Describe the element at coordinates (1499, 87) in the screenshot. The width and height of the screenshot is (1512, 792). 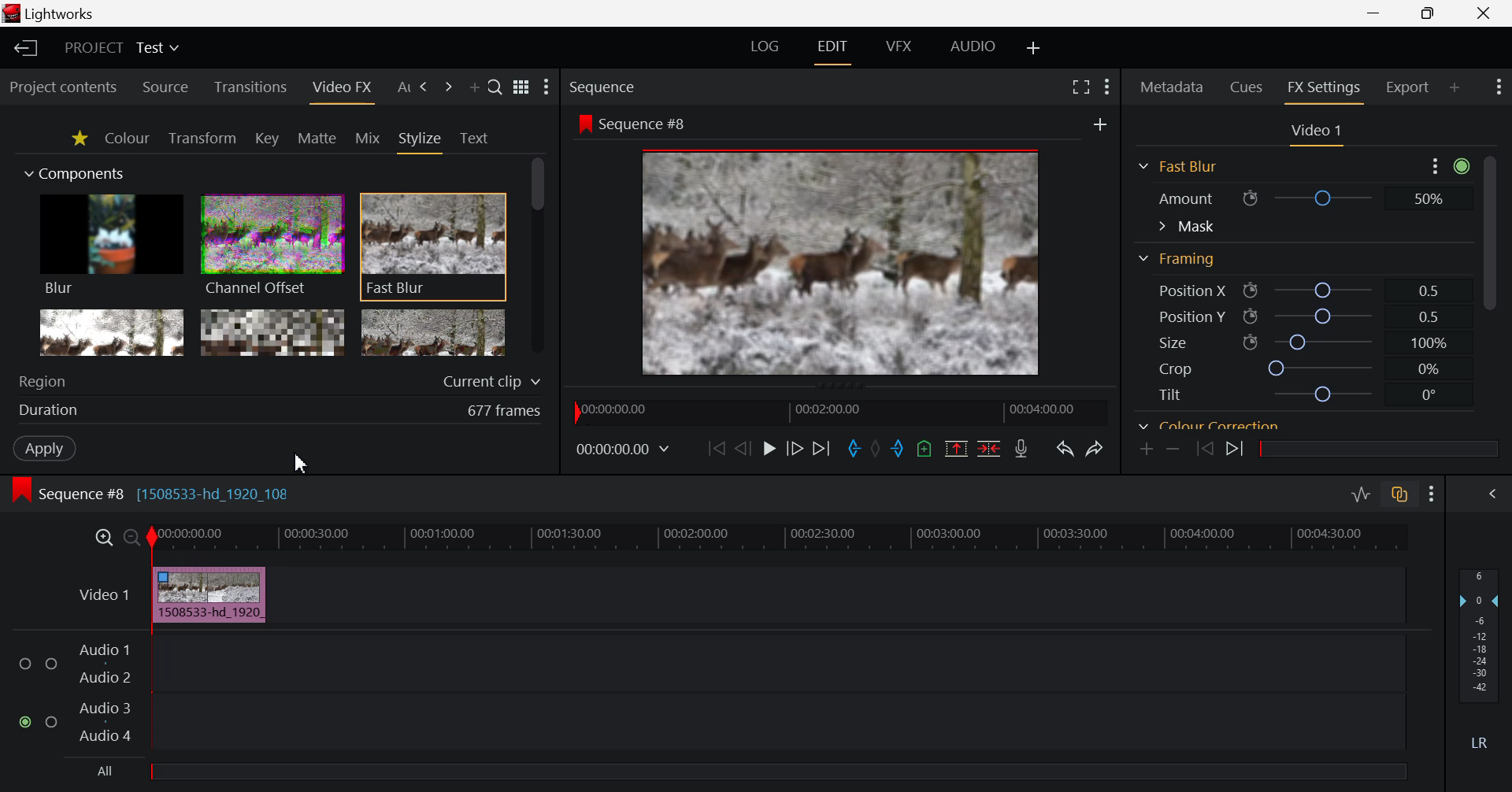
I see `Show Settings` at that location.